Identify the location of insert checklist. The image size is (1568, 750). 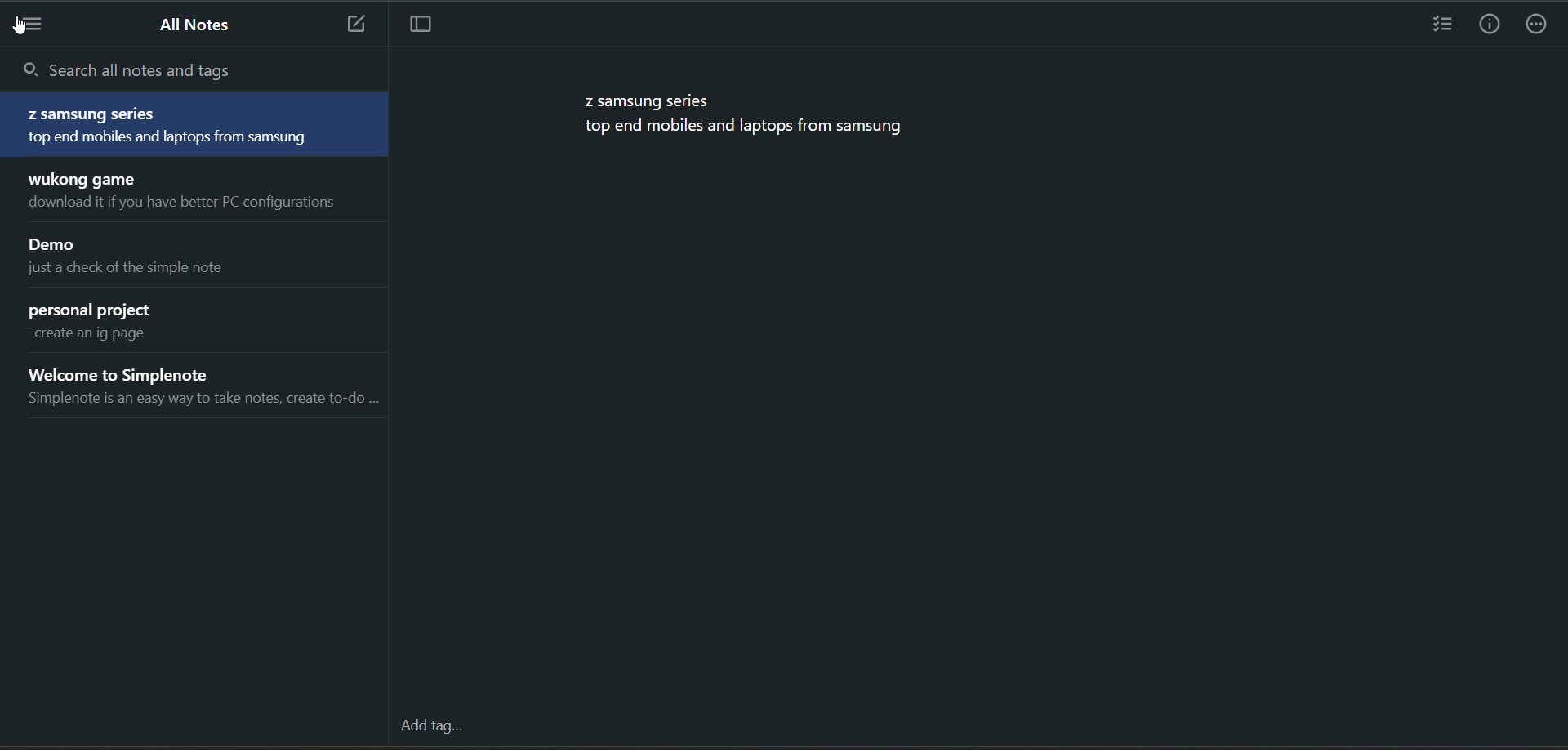
(1440, 25).